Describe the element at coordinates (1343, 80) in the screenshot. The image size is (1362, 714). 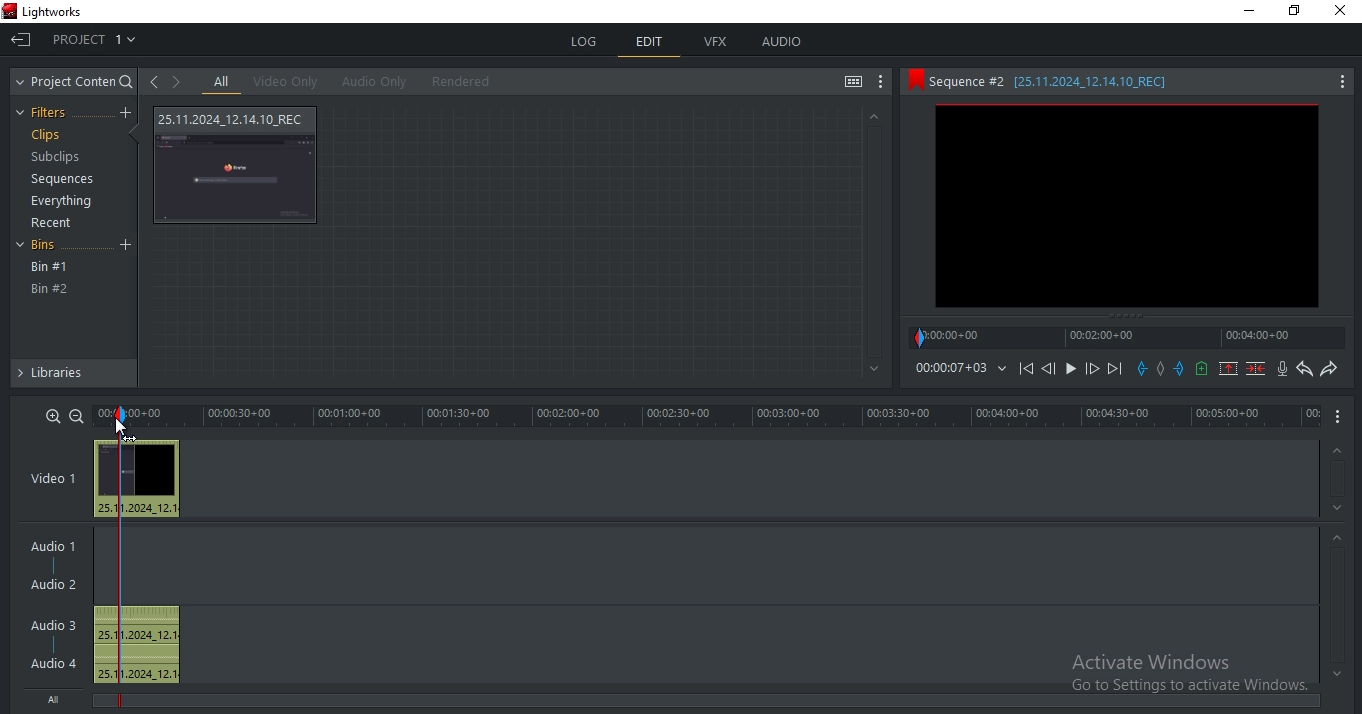
I see `More Options` at that location.